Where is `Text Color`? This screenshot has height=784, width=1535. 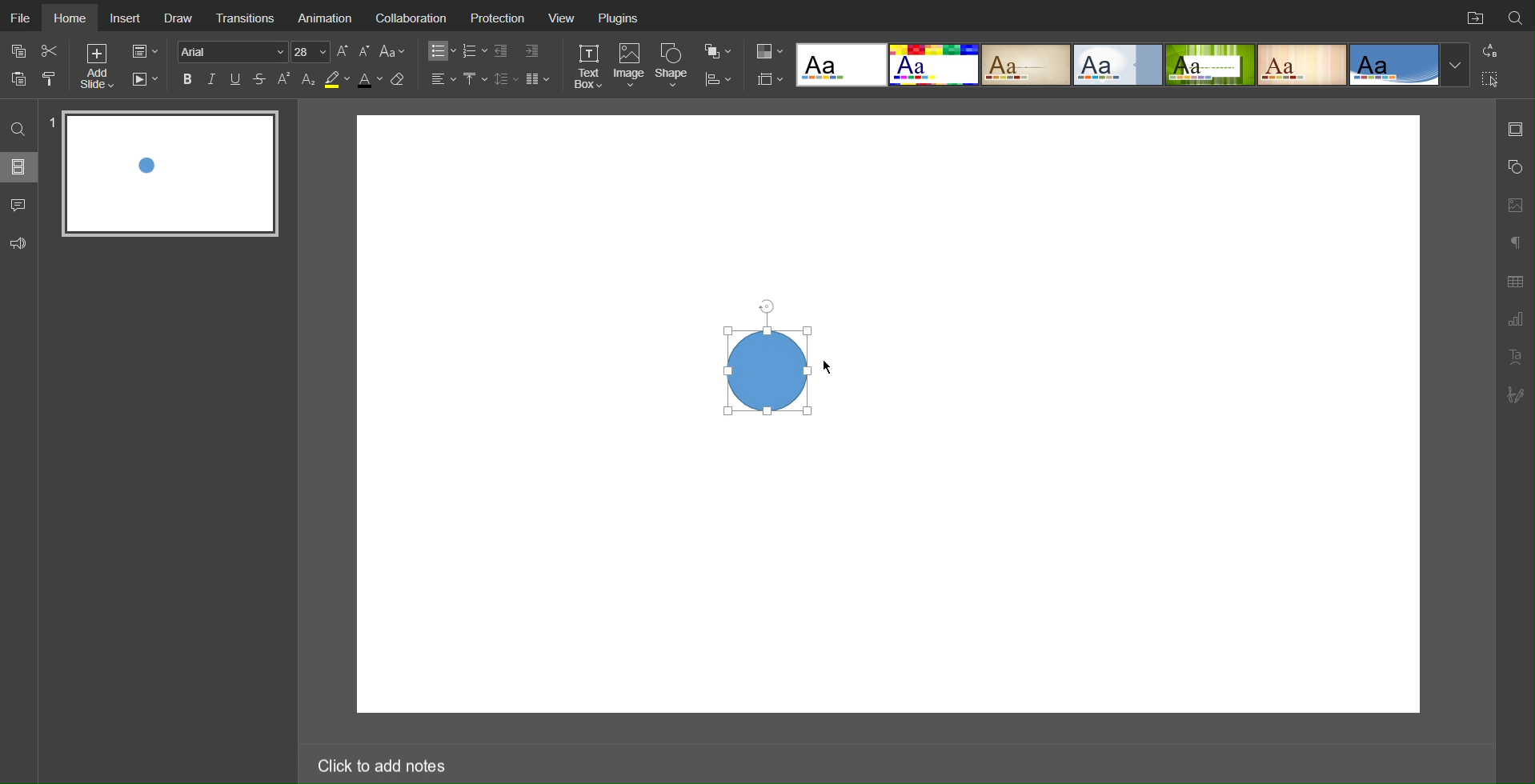 Text Color is located at coordinates (369, 80).